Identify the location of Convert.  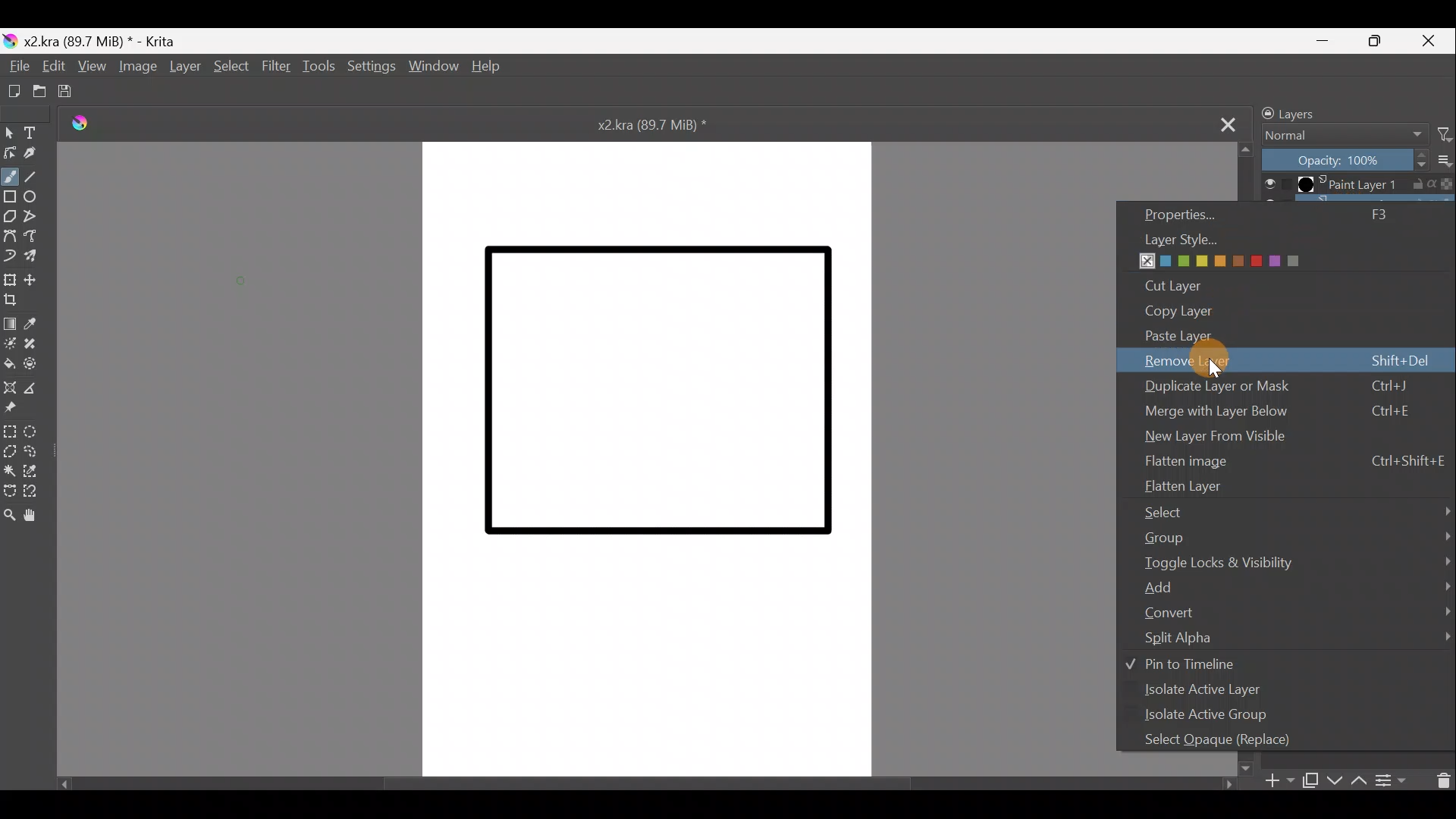
(1290, 611).